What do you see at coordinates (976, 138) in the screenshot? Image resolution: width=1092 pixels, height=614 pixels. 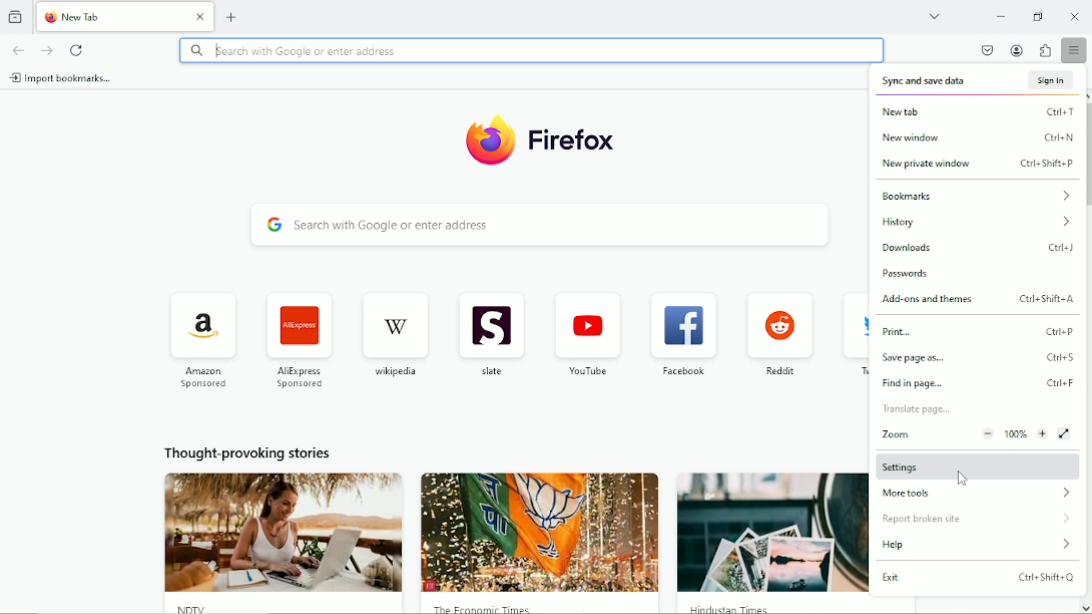 I see `new window` at bounding box center [976, 138].